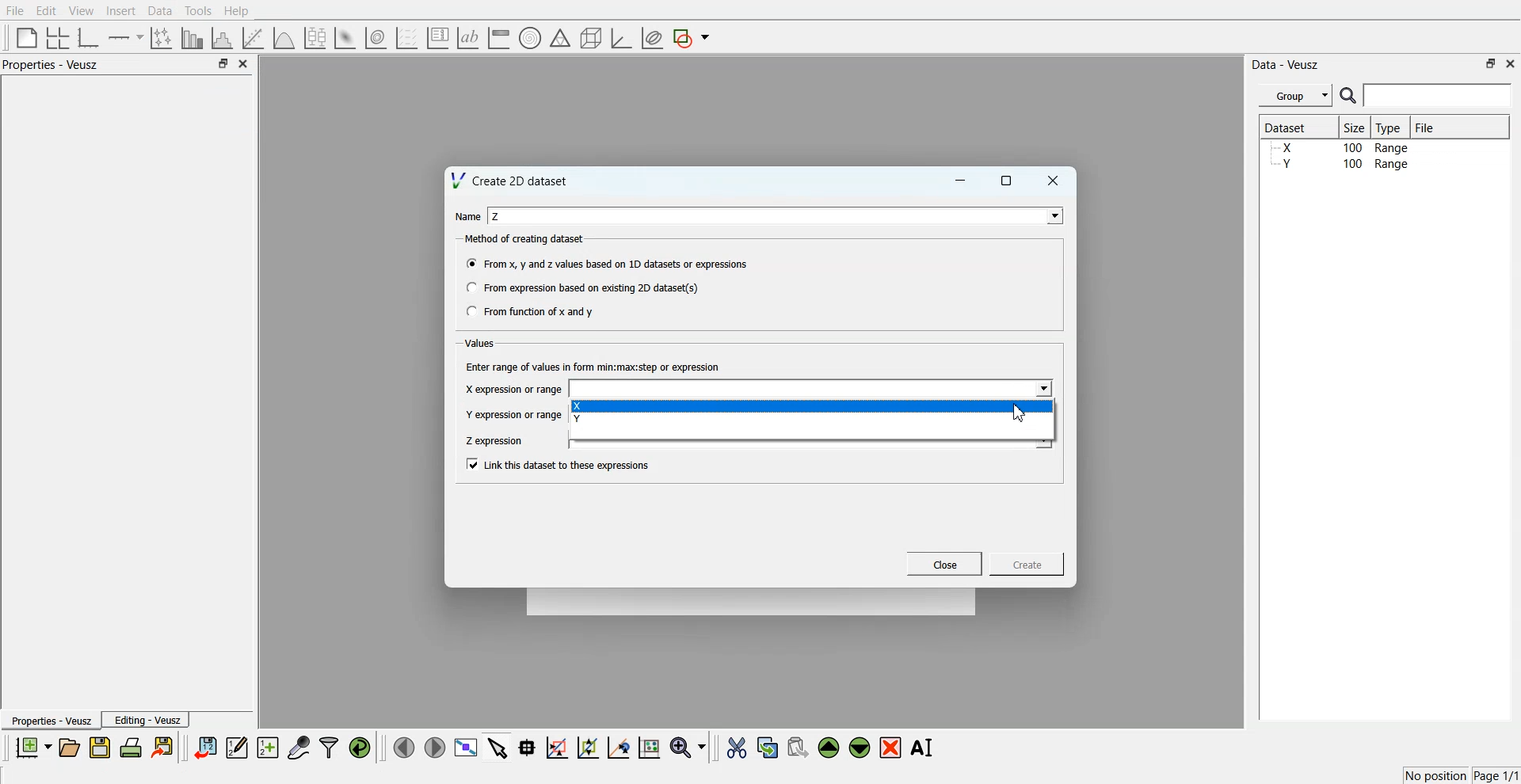 This screenshot has height=784, width=1521. I want to click on Create new dataset for ranging, so click(267, 748).